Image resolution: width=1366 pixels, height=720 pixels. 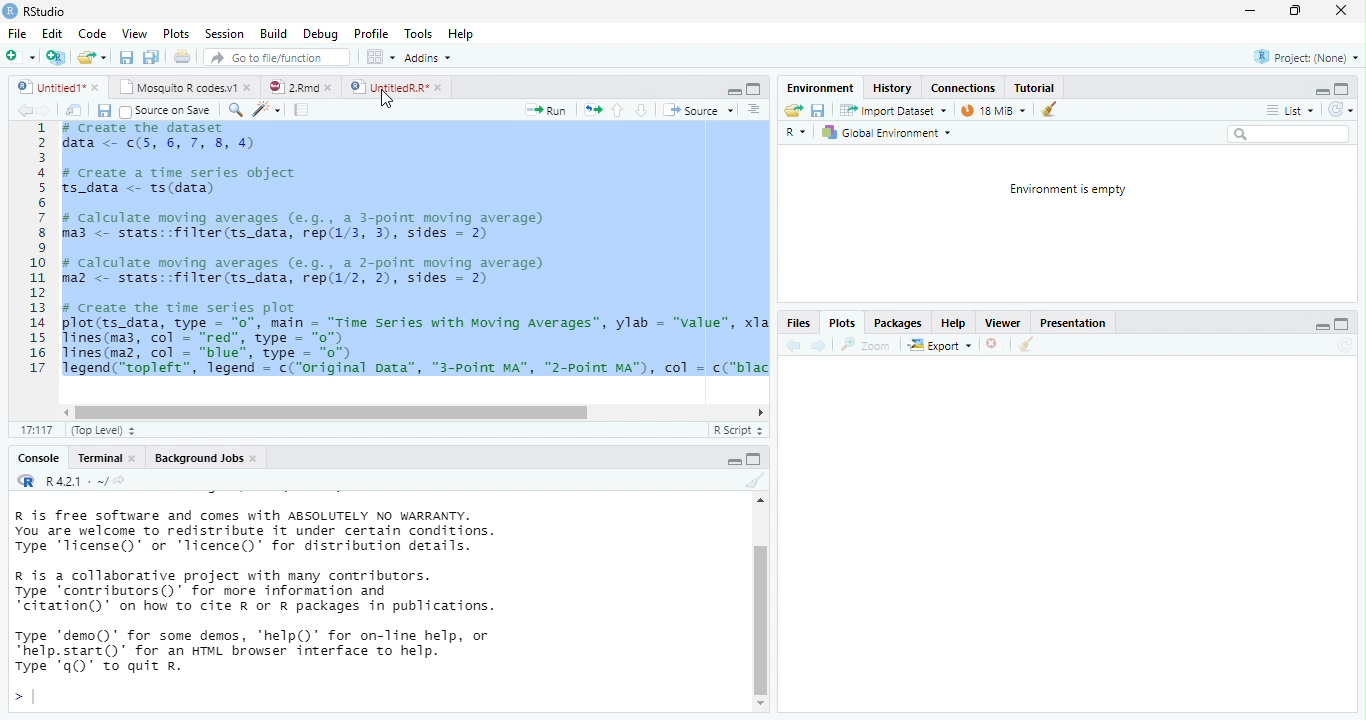 I want to click on close, so click(x=97, y=89).